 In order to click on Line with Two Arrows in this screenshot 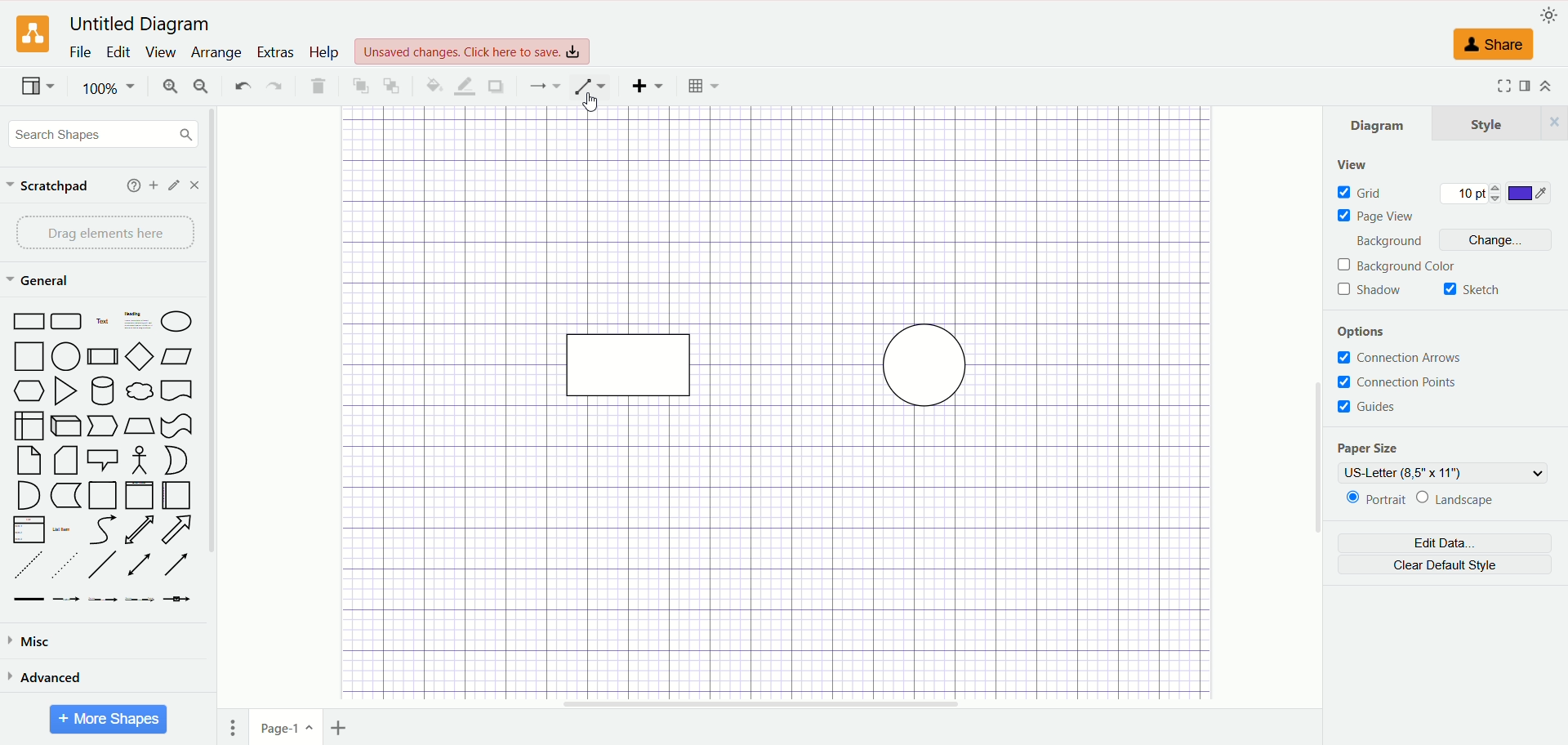, I will do `click(142, 565)`.